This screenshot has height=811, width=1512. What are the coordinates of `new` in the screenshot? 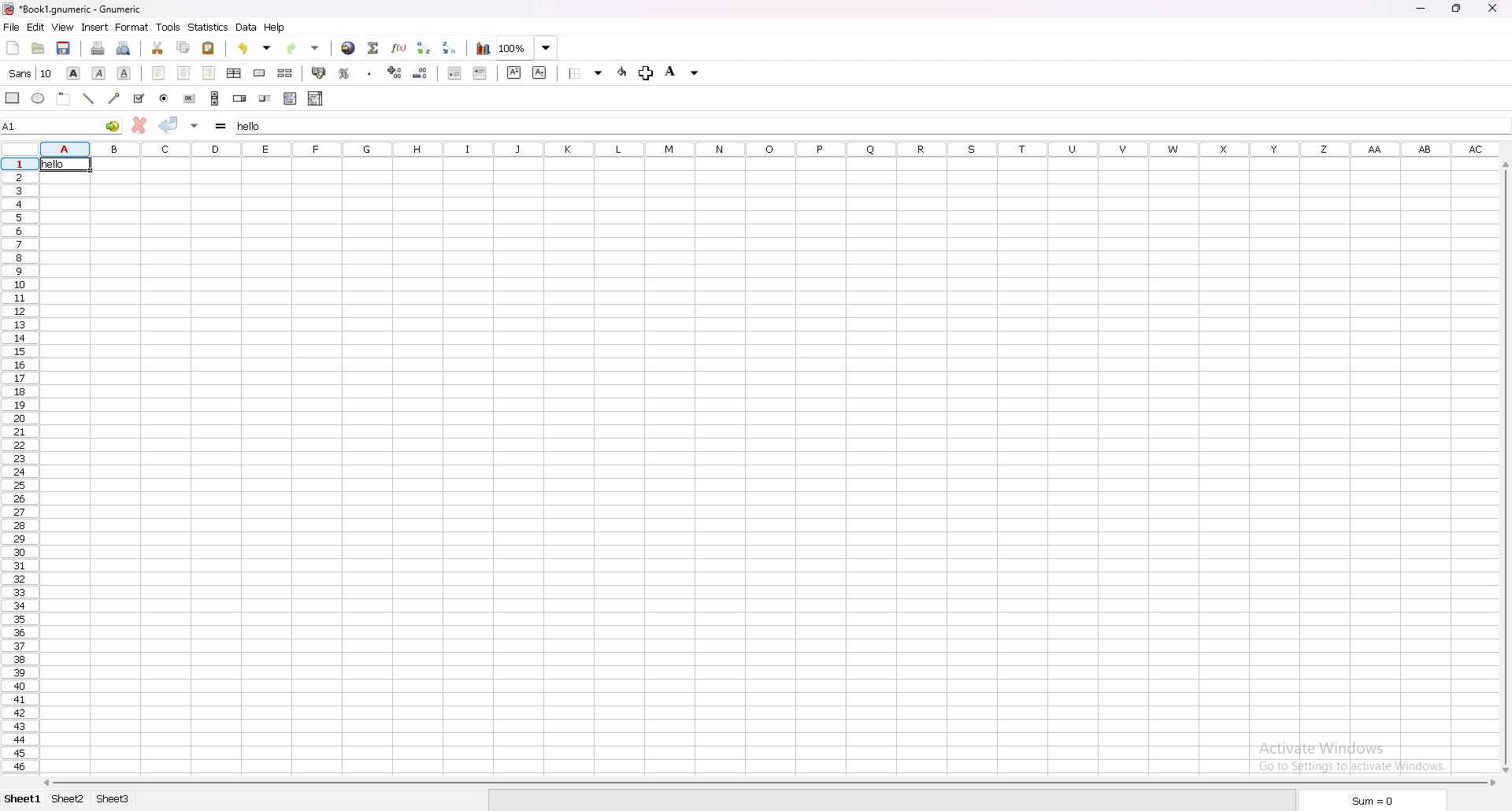 It's located at (13, 46).